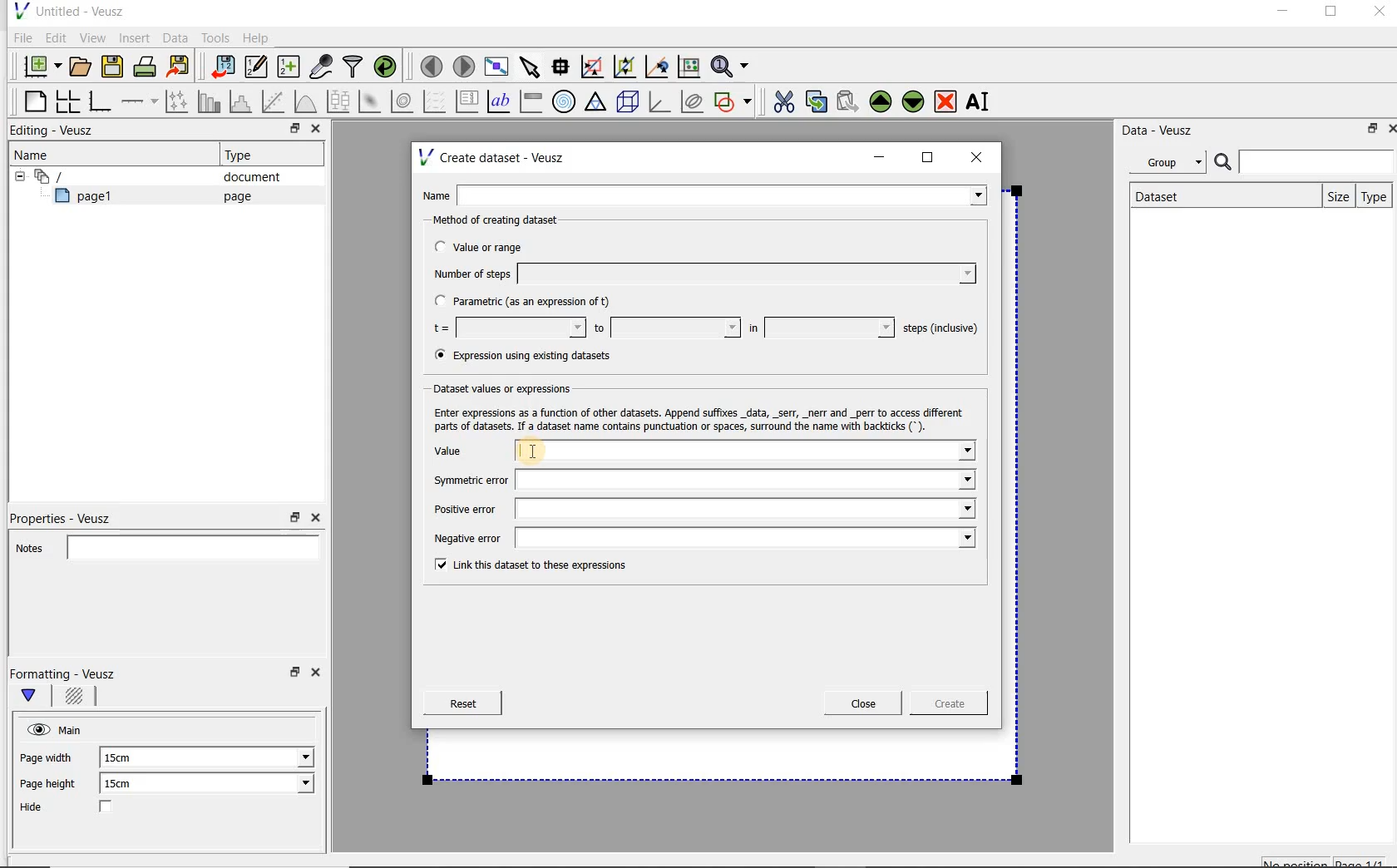 This screenshot has width=1397, height=868. What do you see at coordinates (322, 69) in the screenshot?
I see `capture remote data` at bounding box center [322, 69].